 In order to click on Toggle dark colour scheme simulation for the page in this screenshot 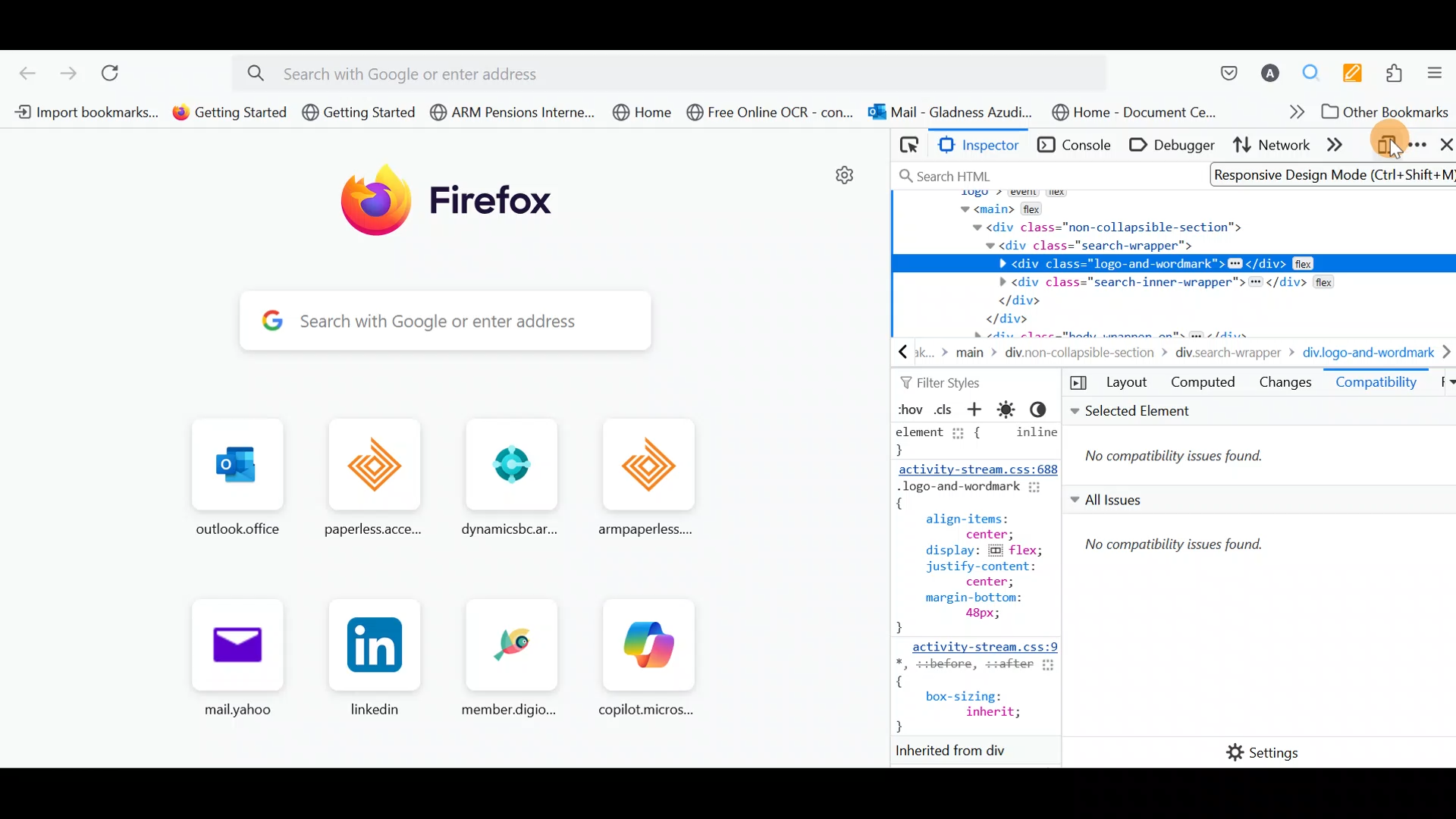, I will do `click(1044, 409)`.